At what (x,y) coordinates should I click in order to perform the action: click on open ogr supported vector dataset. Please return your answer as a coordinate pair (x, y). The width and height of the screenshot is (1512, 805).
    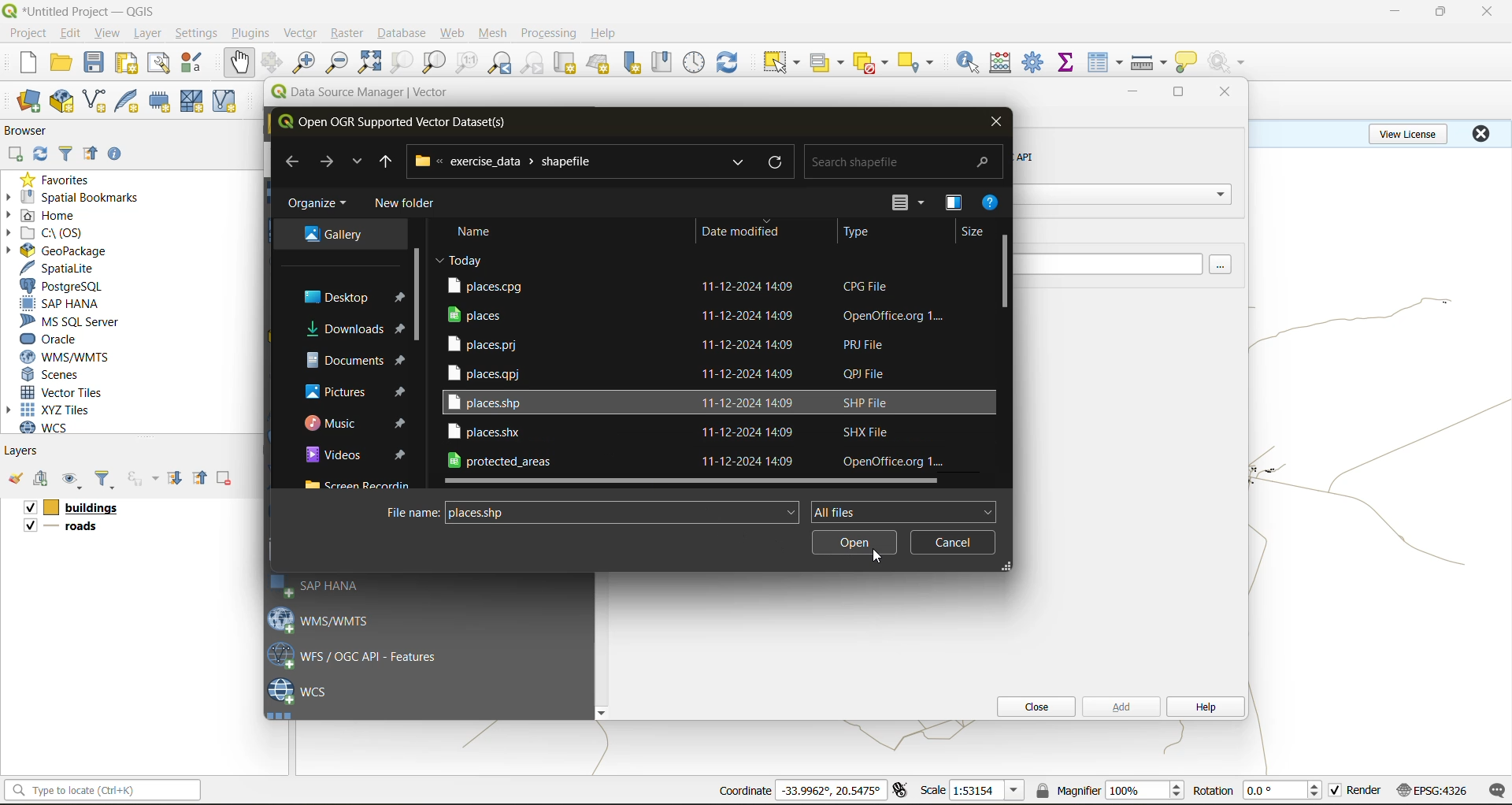
    Looking at the image, I should click on (402, 122).